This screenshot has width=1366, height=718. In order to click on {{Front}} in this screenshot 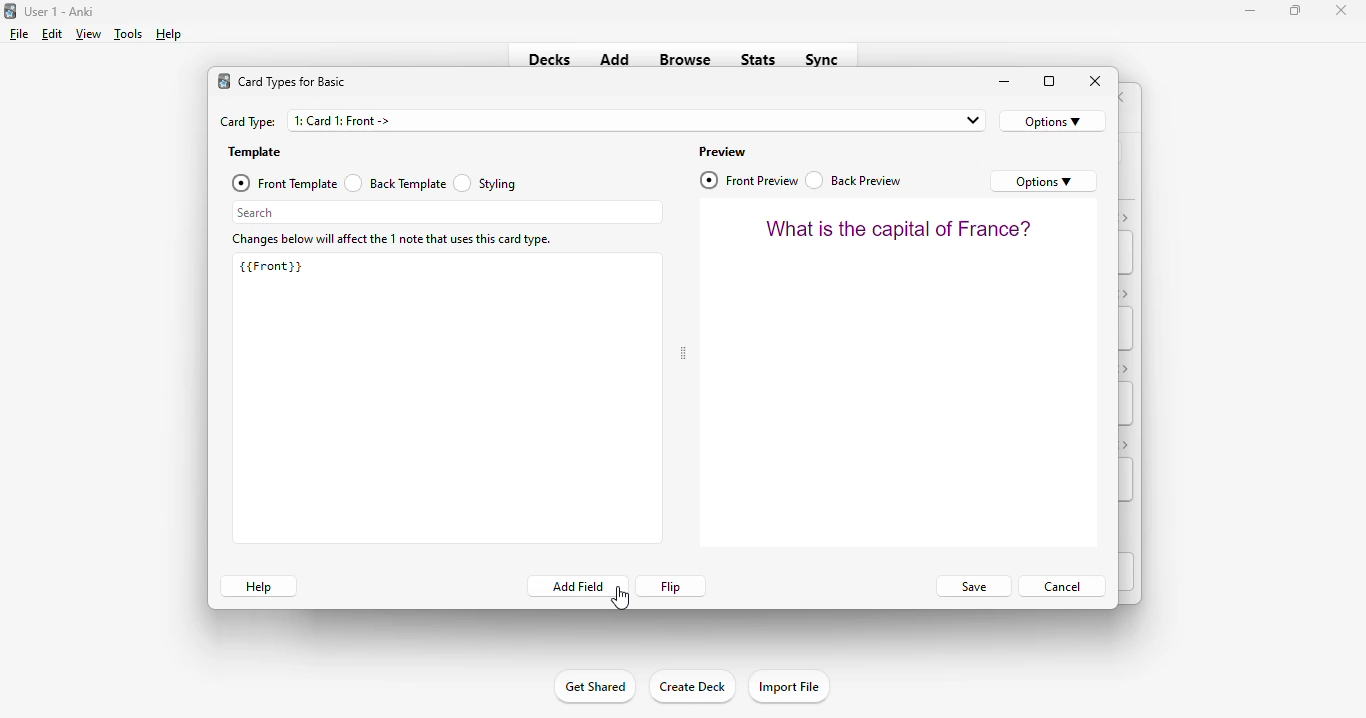, I will do `click(271, 266)`.